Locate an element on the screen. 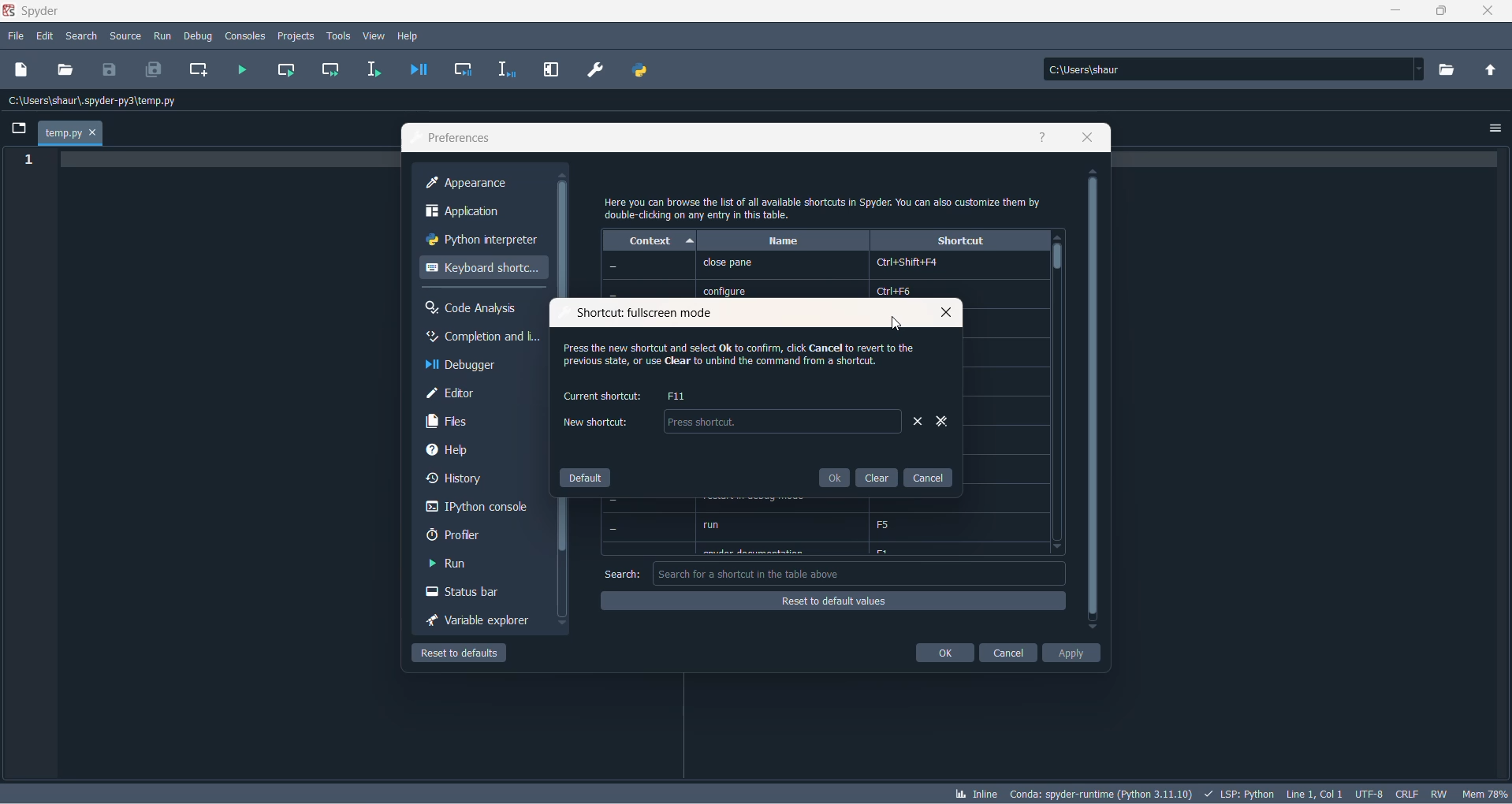  save is located at coordinates (110, 69).